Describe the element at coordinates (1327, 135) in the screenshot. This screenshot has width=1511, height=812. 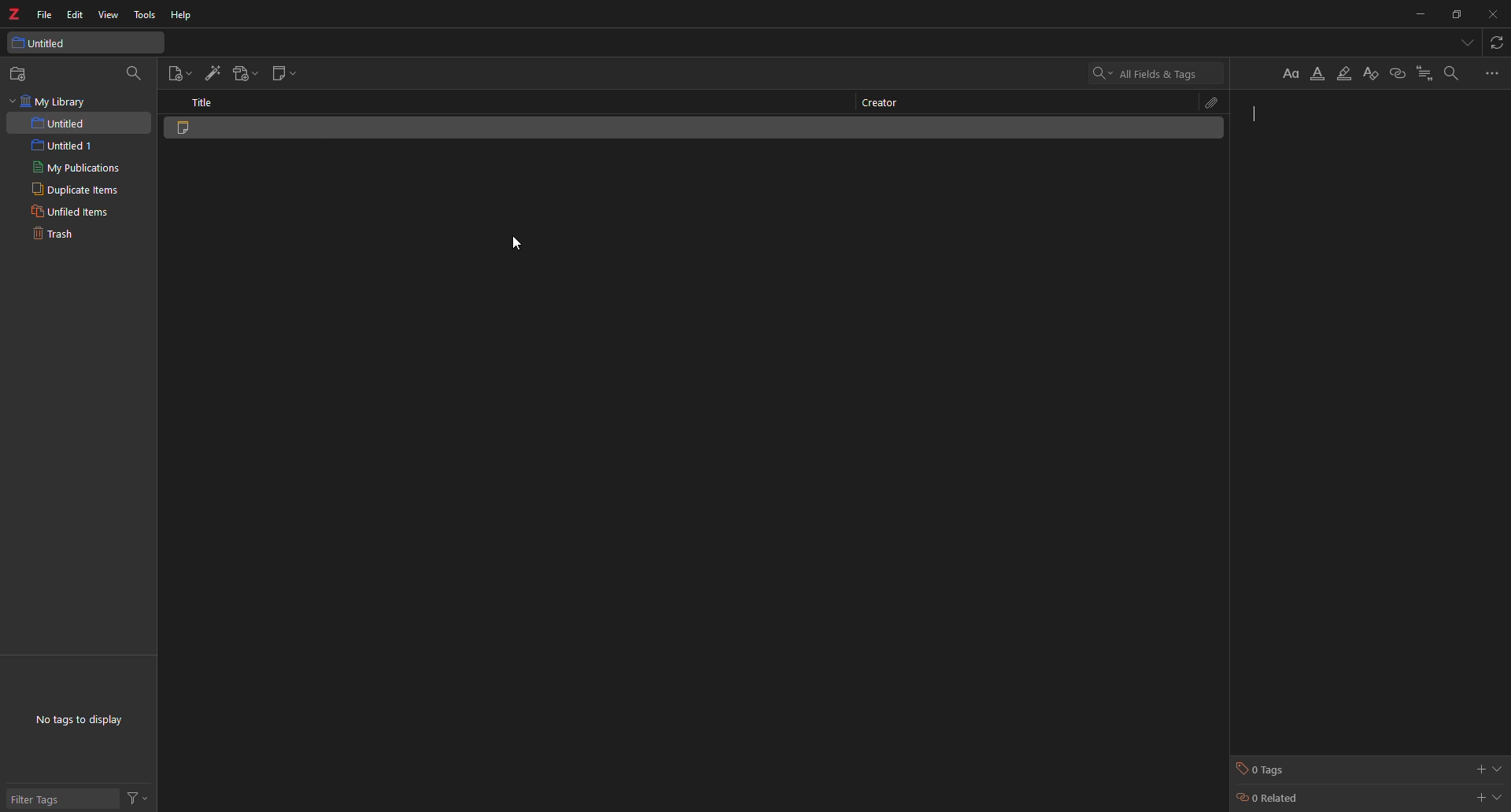
I see `type` at that location.